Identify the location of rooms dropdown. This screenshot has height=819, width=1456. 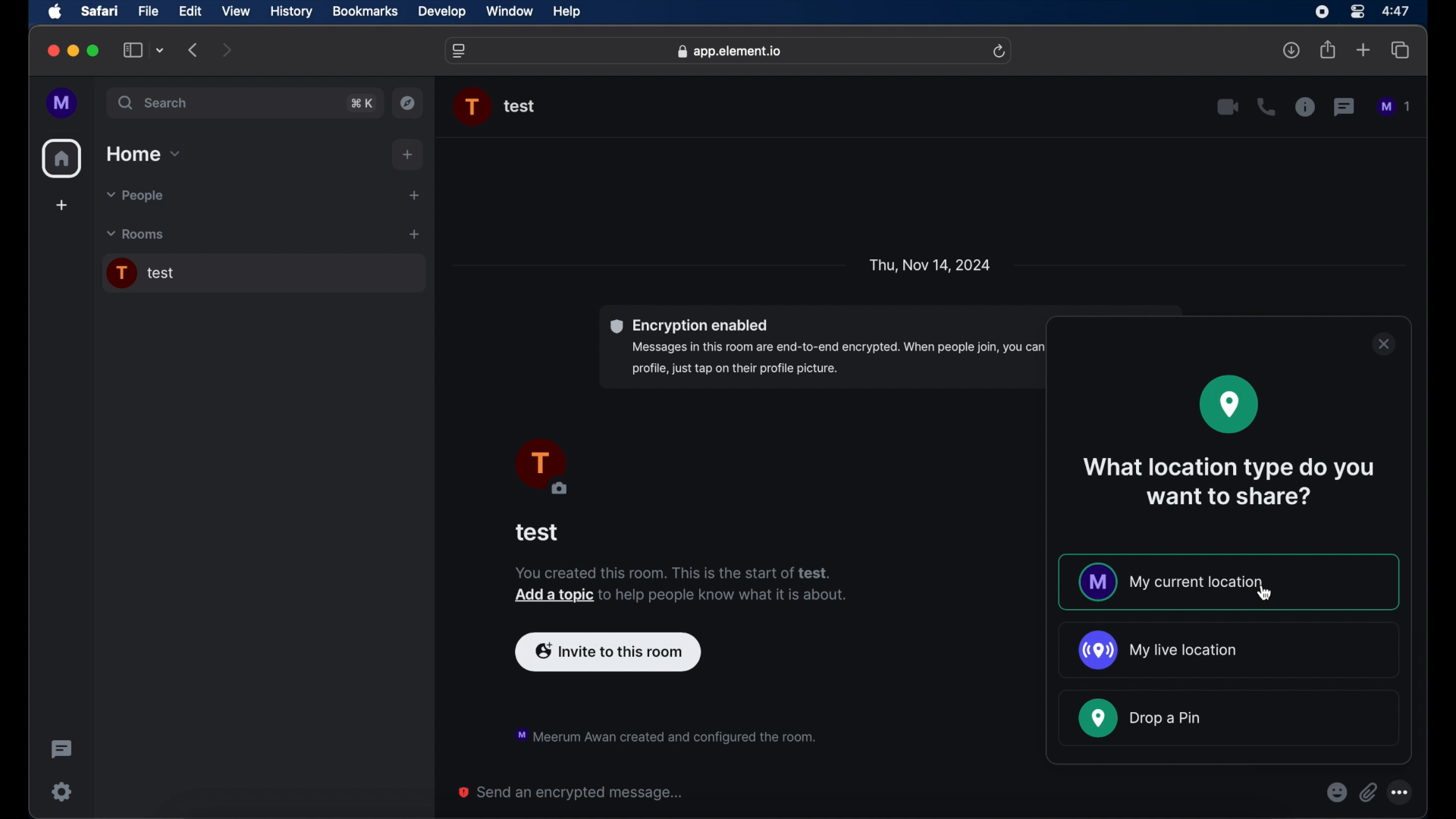
(136, 234).